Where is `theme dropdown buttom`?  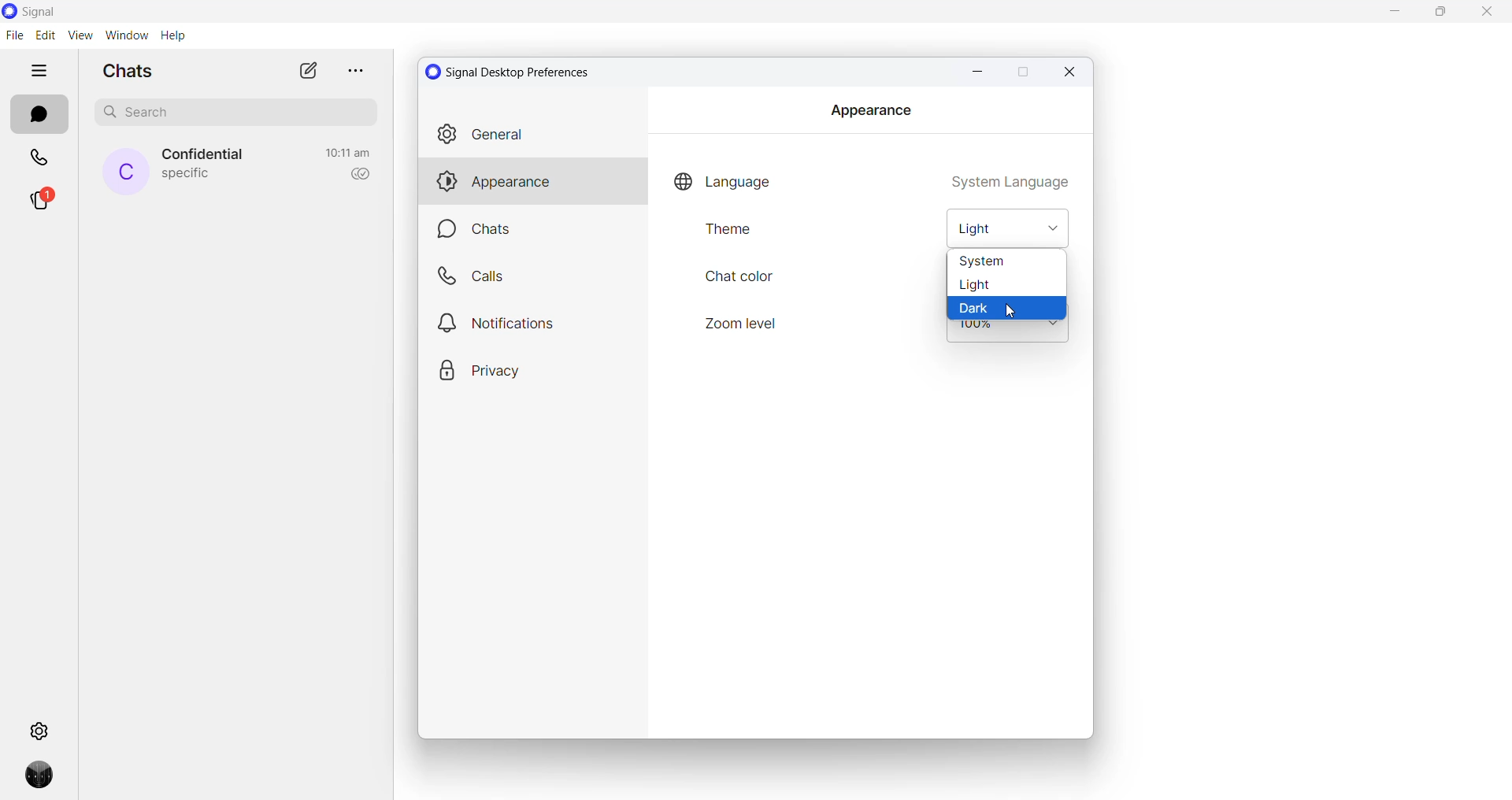 theme dropdown buttom is located at coordinates (1010, 229).